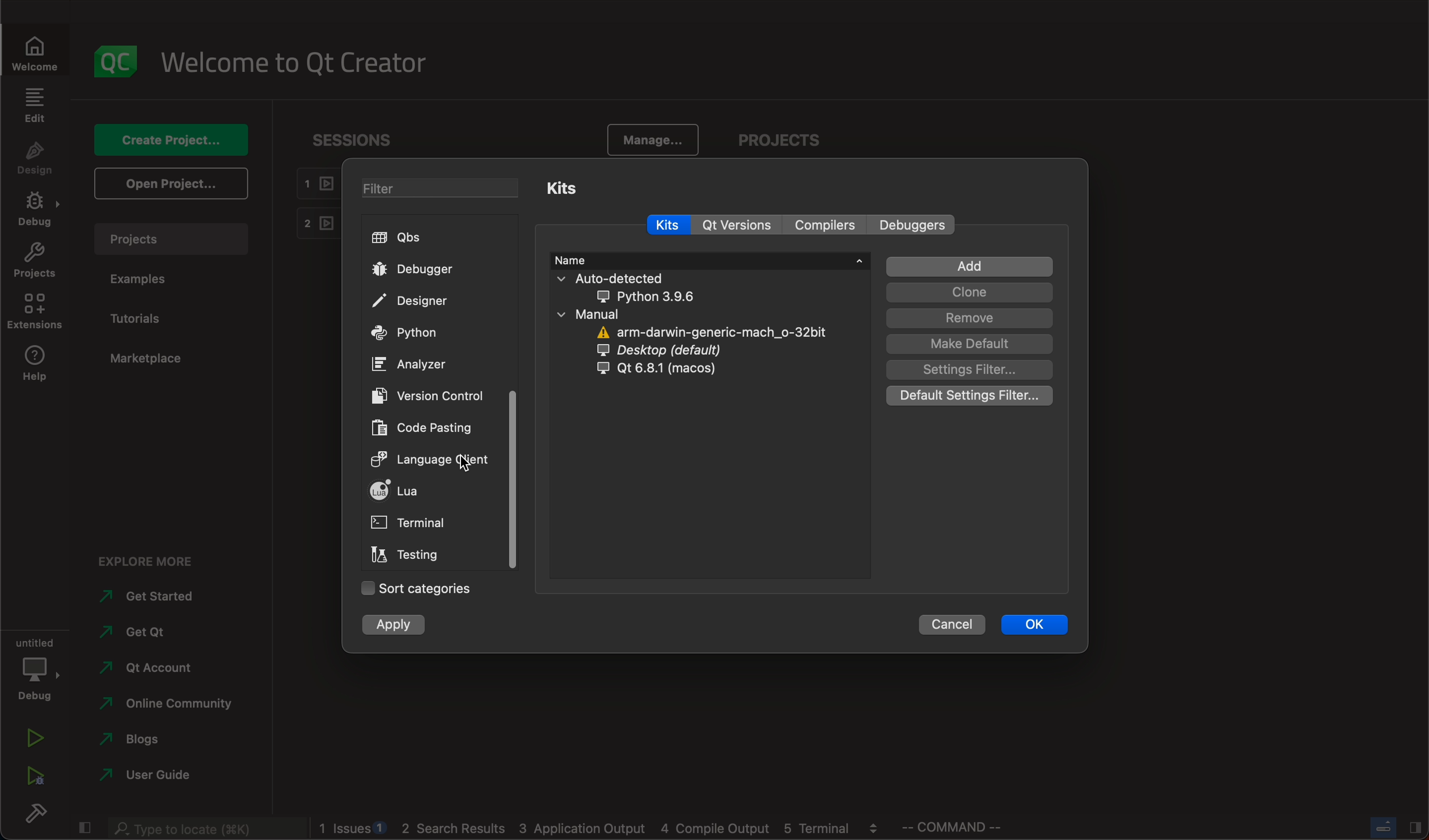 The width and height of the screenshot is (1429, 840). I want to click on extensions, so click(35, 312).